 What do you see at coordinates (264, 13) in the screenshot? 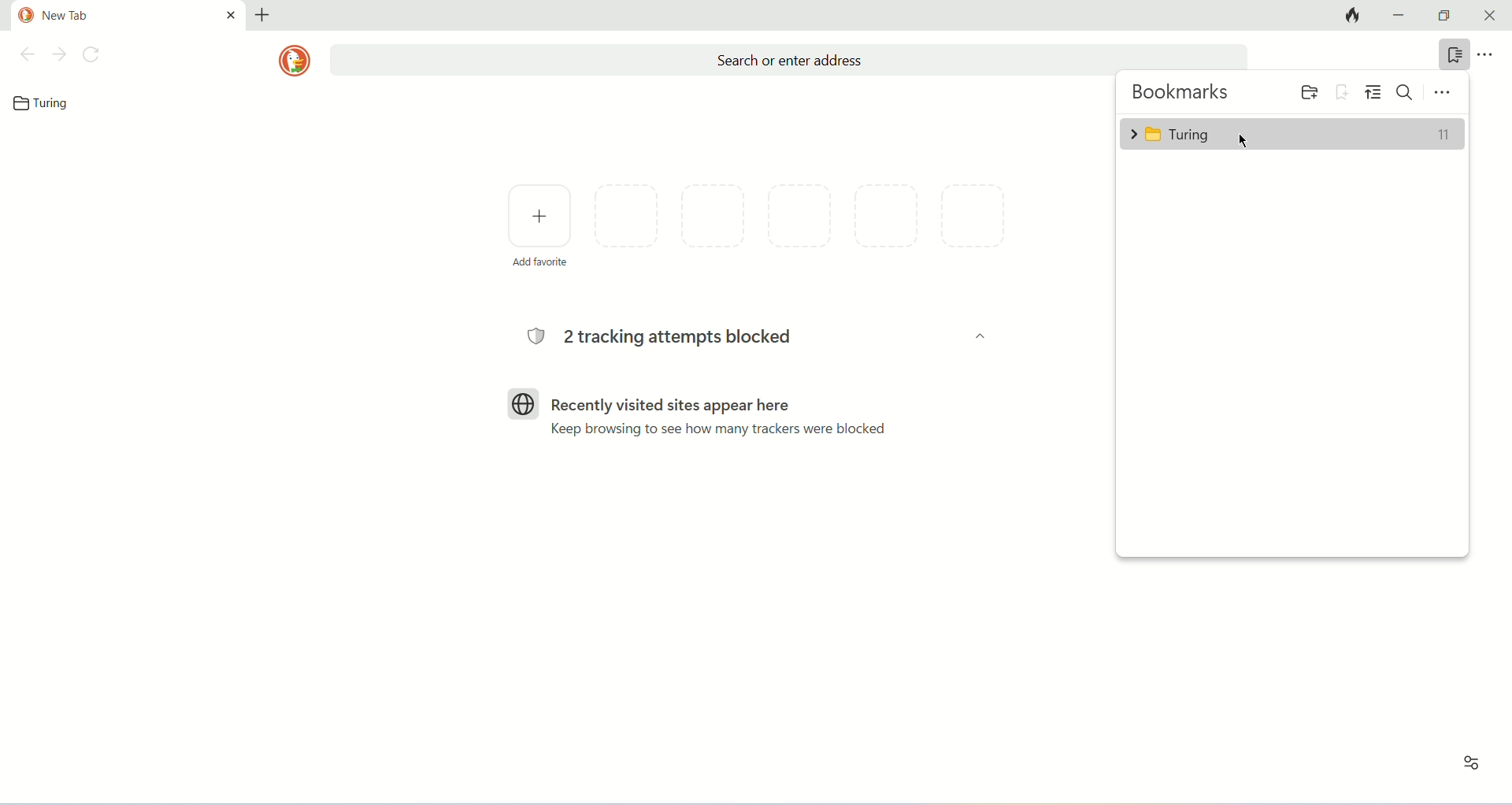
I see `new tab` at bounding box center [264, 13].